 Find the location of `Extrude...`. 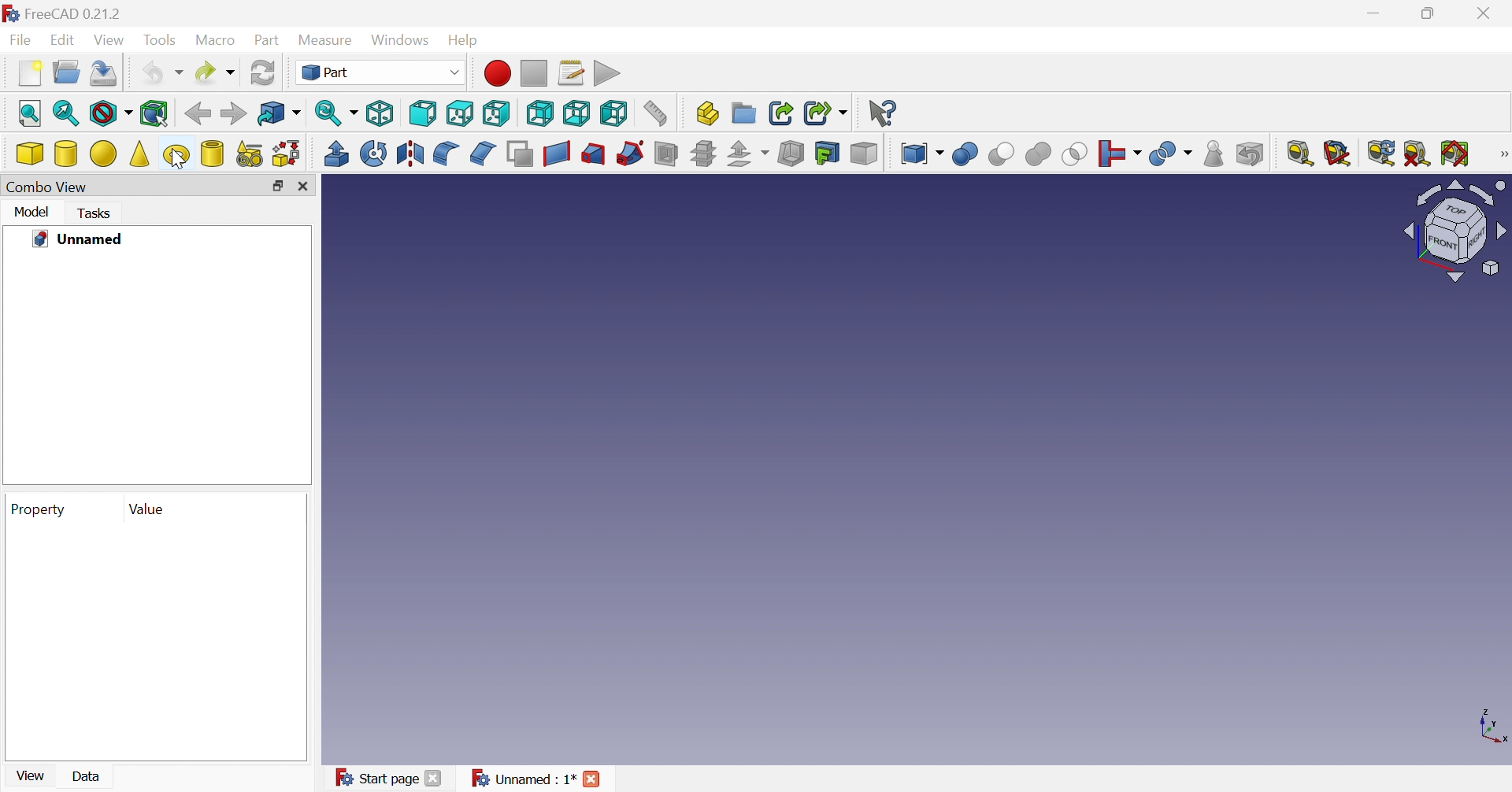

Extrude... is located at coordinates (335, 154).